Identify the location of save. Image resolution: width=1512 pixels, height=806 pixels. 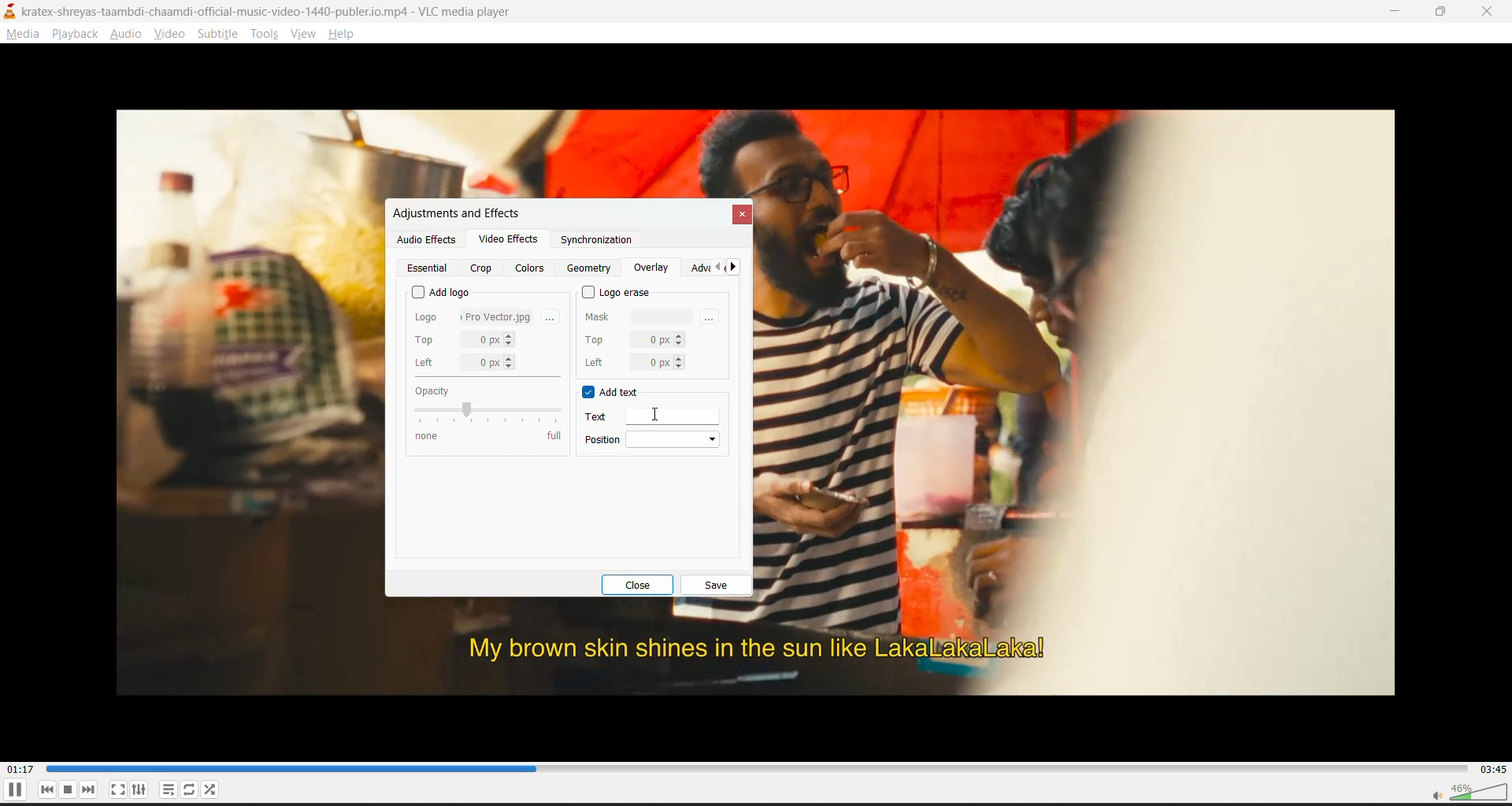
(716, 586).